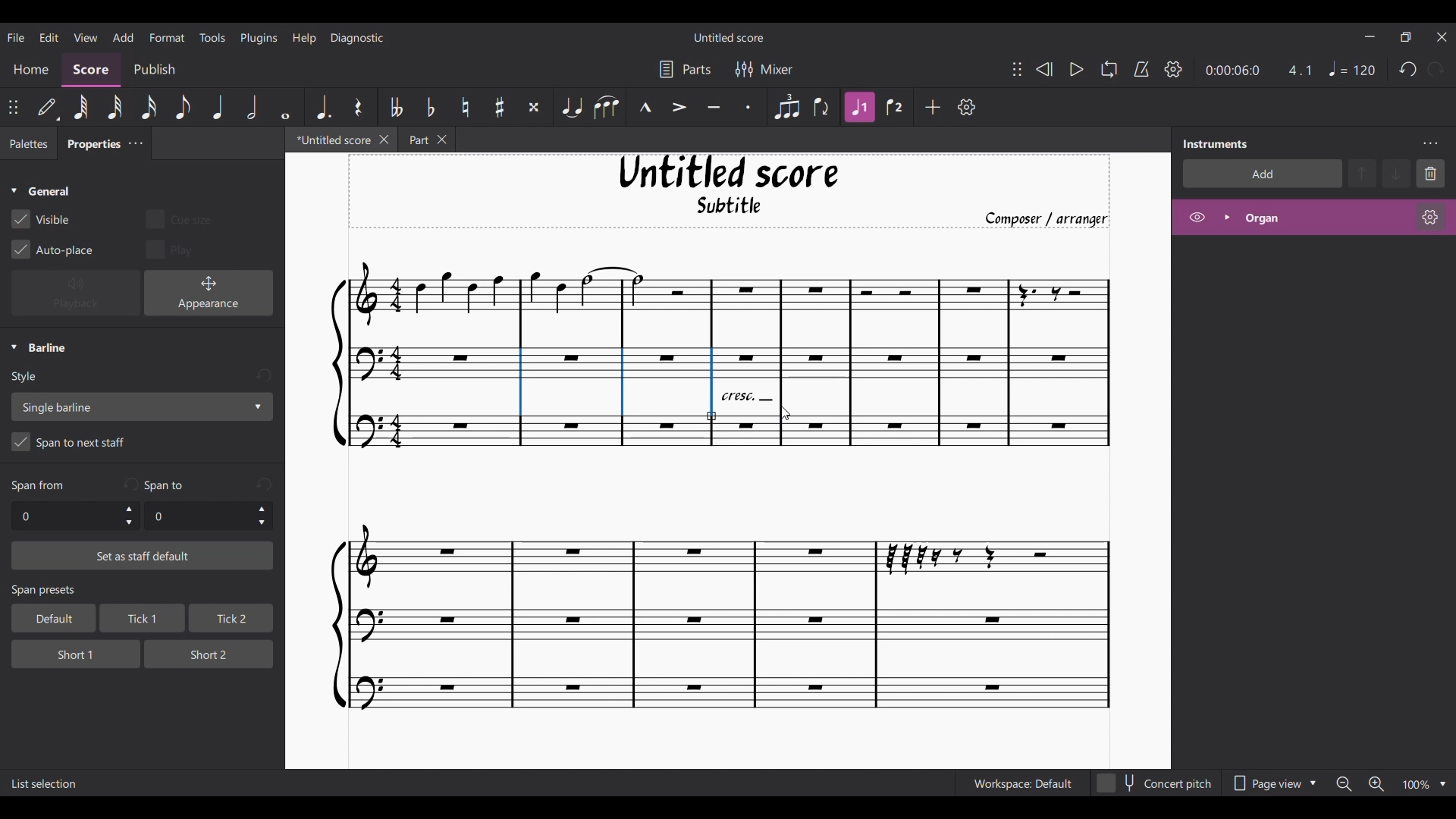 This screenshot has width=1456, height=819. I want to click on Format menu, so click(168, 36).